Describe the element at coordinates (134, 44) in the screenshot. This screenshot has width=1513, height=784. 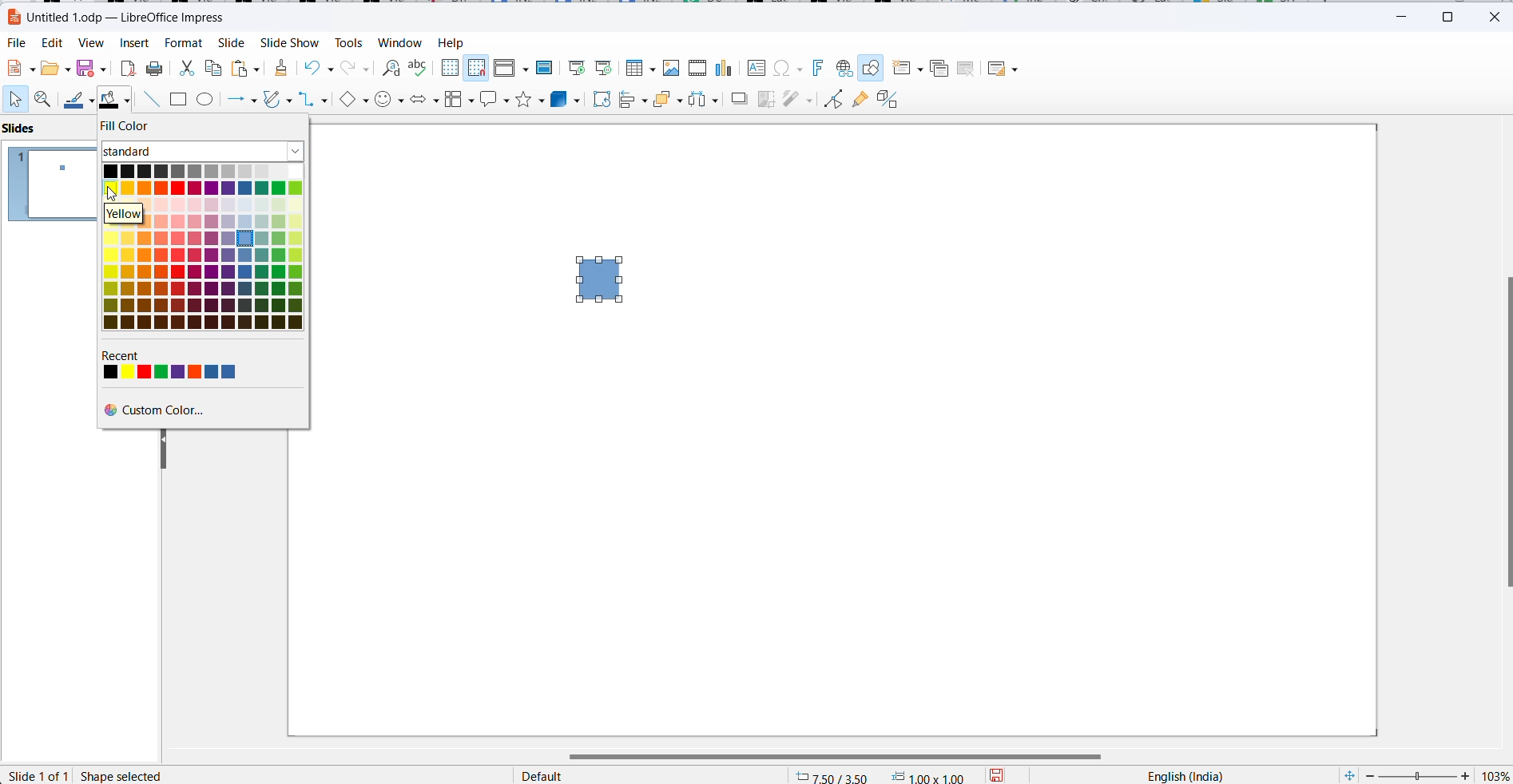
I see `Insert` at that location.